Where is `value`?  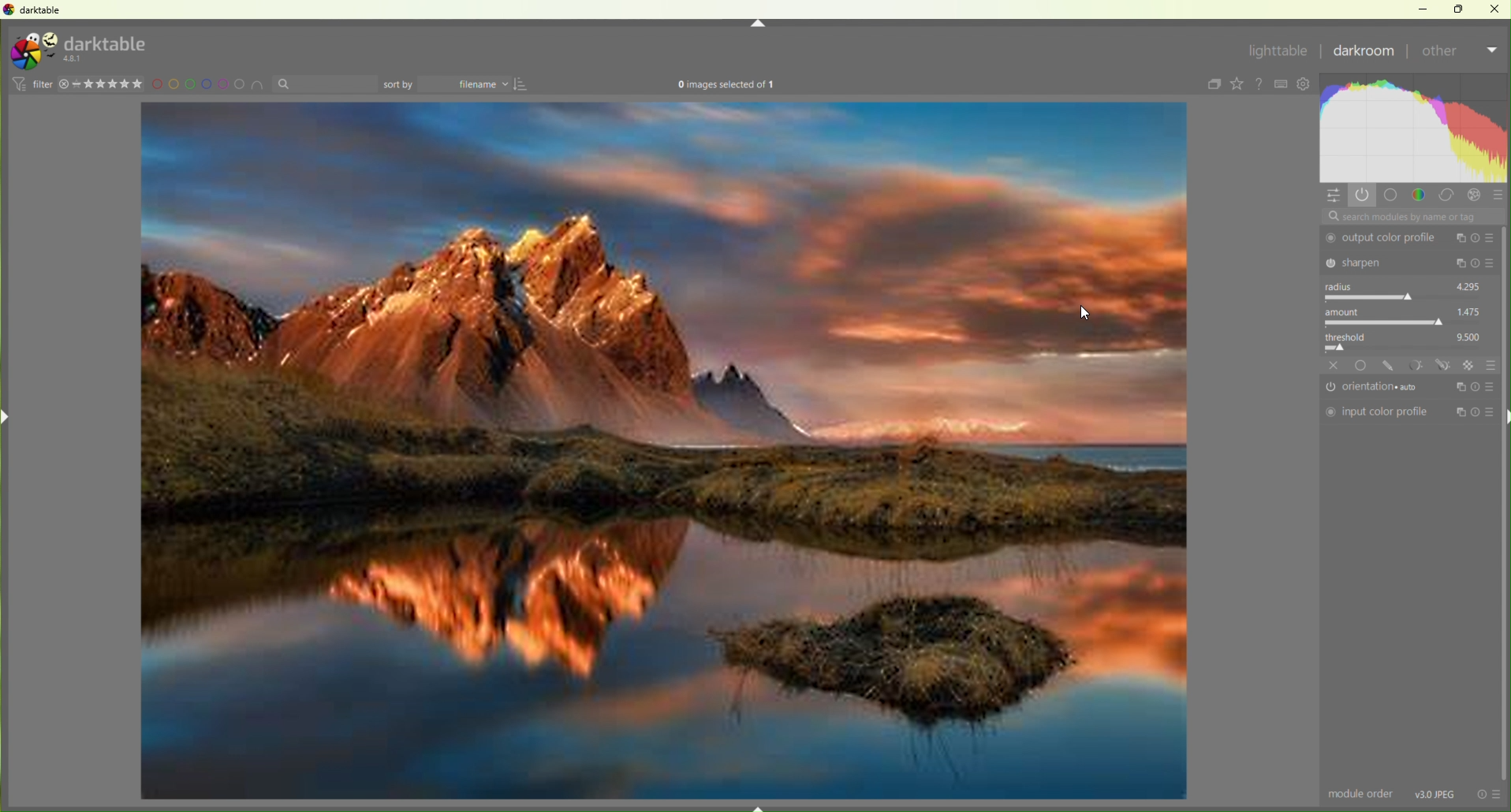
value is located at coordinates (1470, 335).